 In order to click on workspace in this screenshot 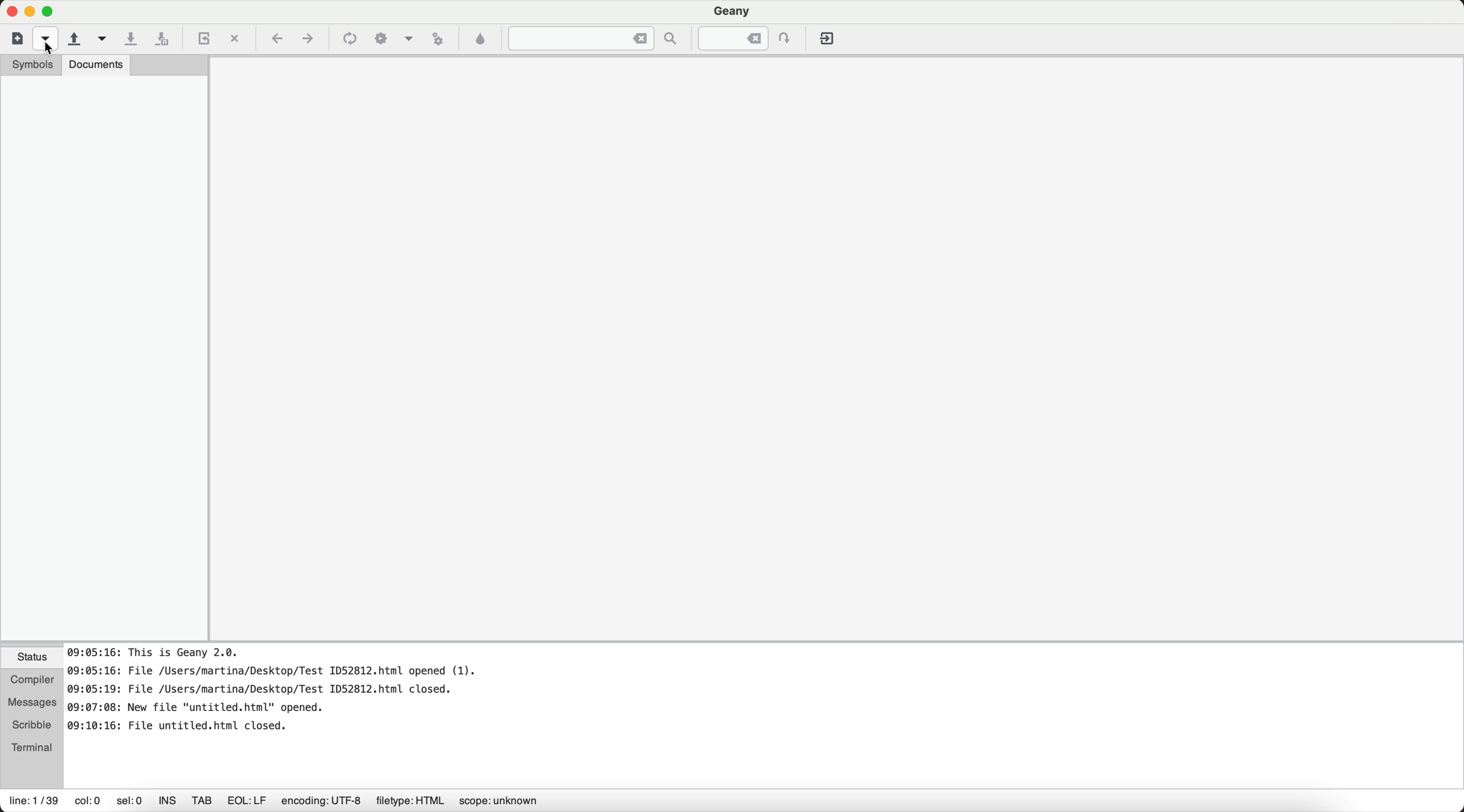, I will do `click(839, 349)`.